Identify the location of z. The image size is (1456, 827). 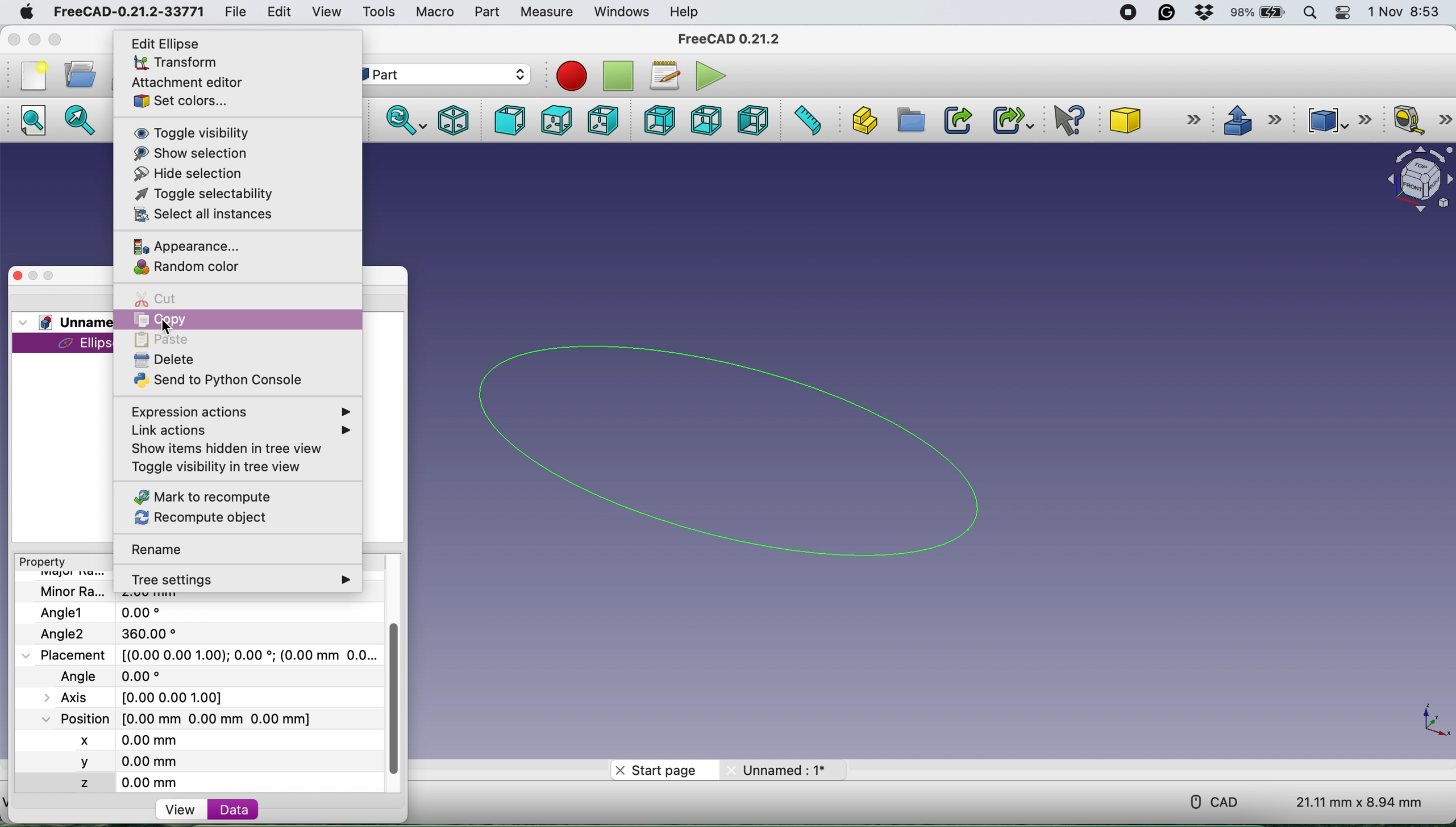
(117, 781).